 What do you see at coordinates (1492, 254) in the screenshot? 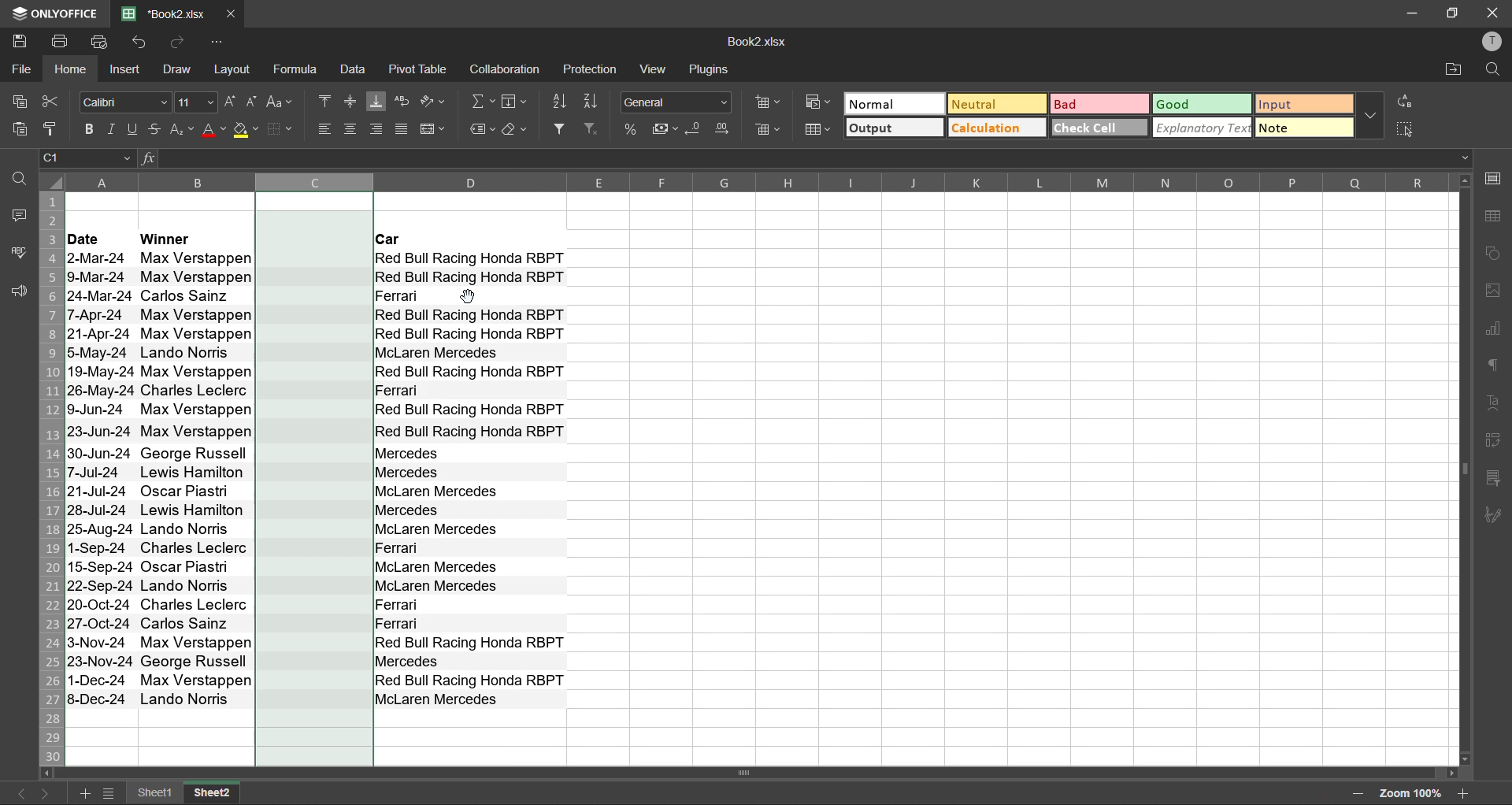
I see `shapes` at bounding box center [1492, 254].